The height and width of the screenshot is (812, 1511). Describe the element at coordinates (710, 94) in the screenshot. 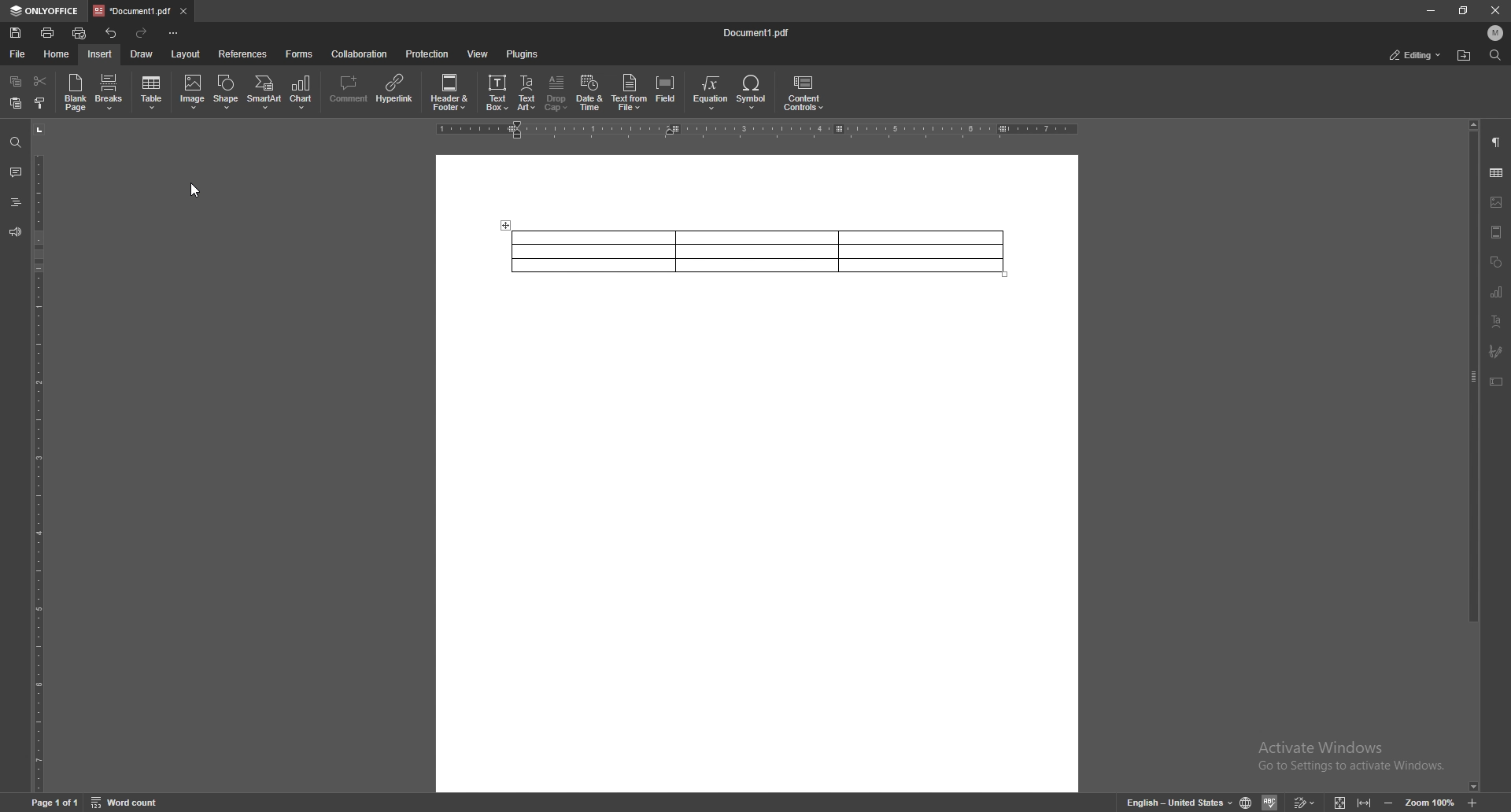

I see `equation` at that location.